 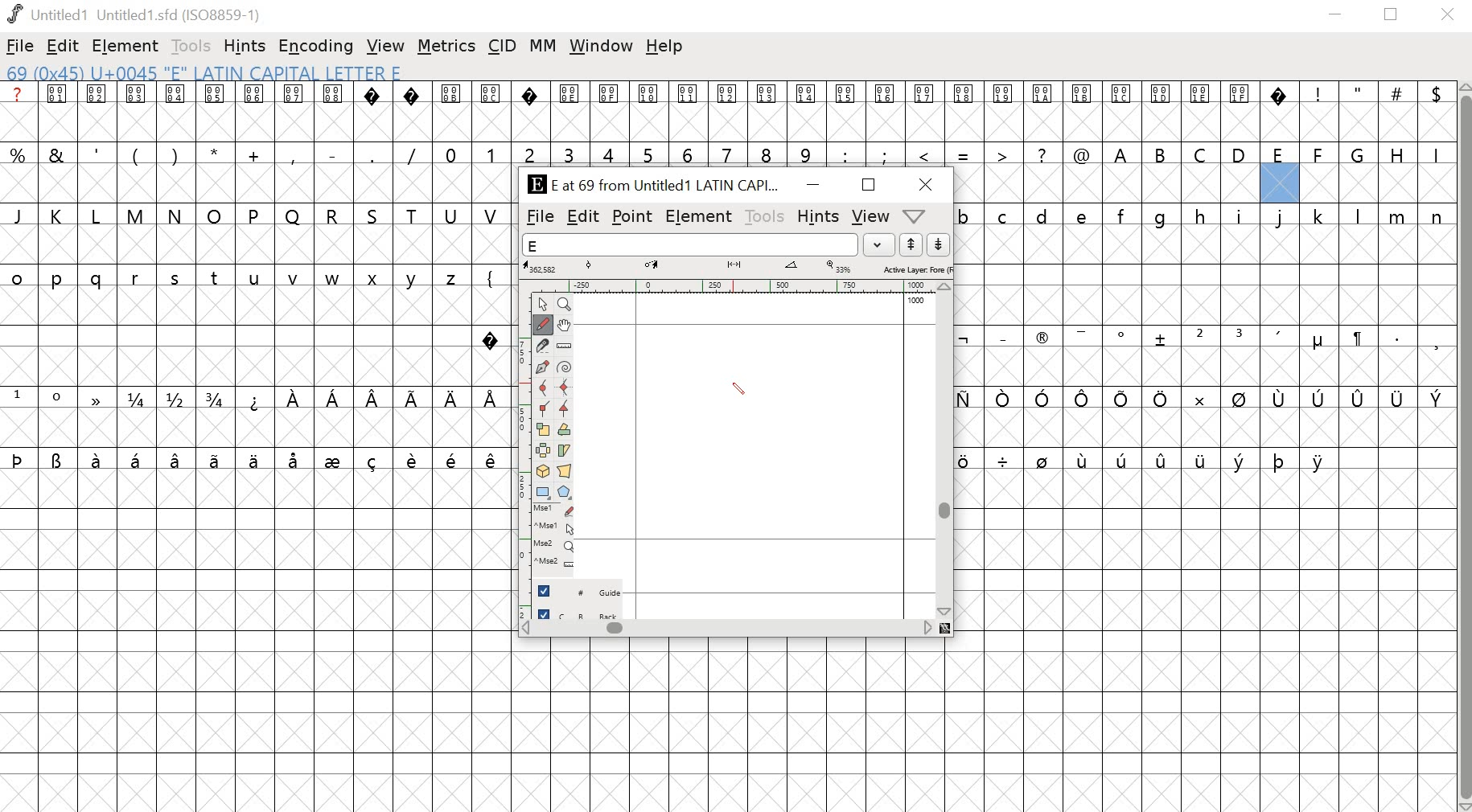 What do you see at coordinates (583, 218) in the screenshot?
I see `edit` at bounding box center [583, 218].